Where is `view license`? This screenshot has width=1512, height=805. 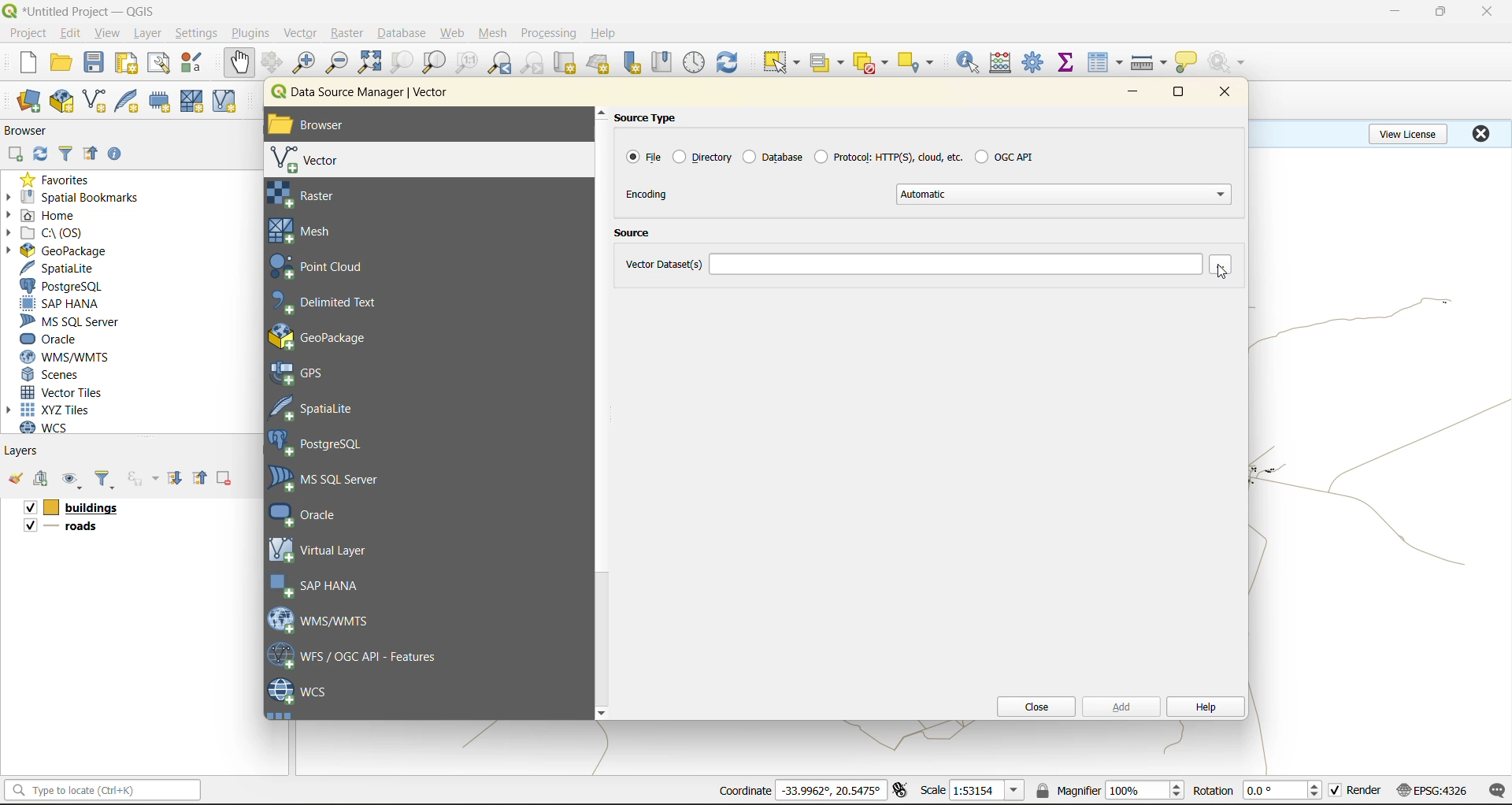
view license is located at coordinates (1411, 132).